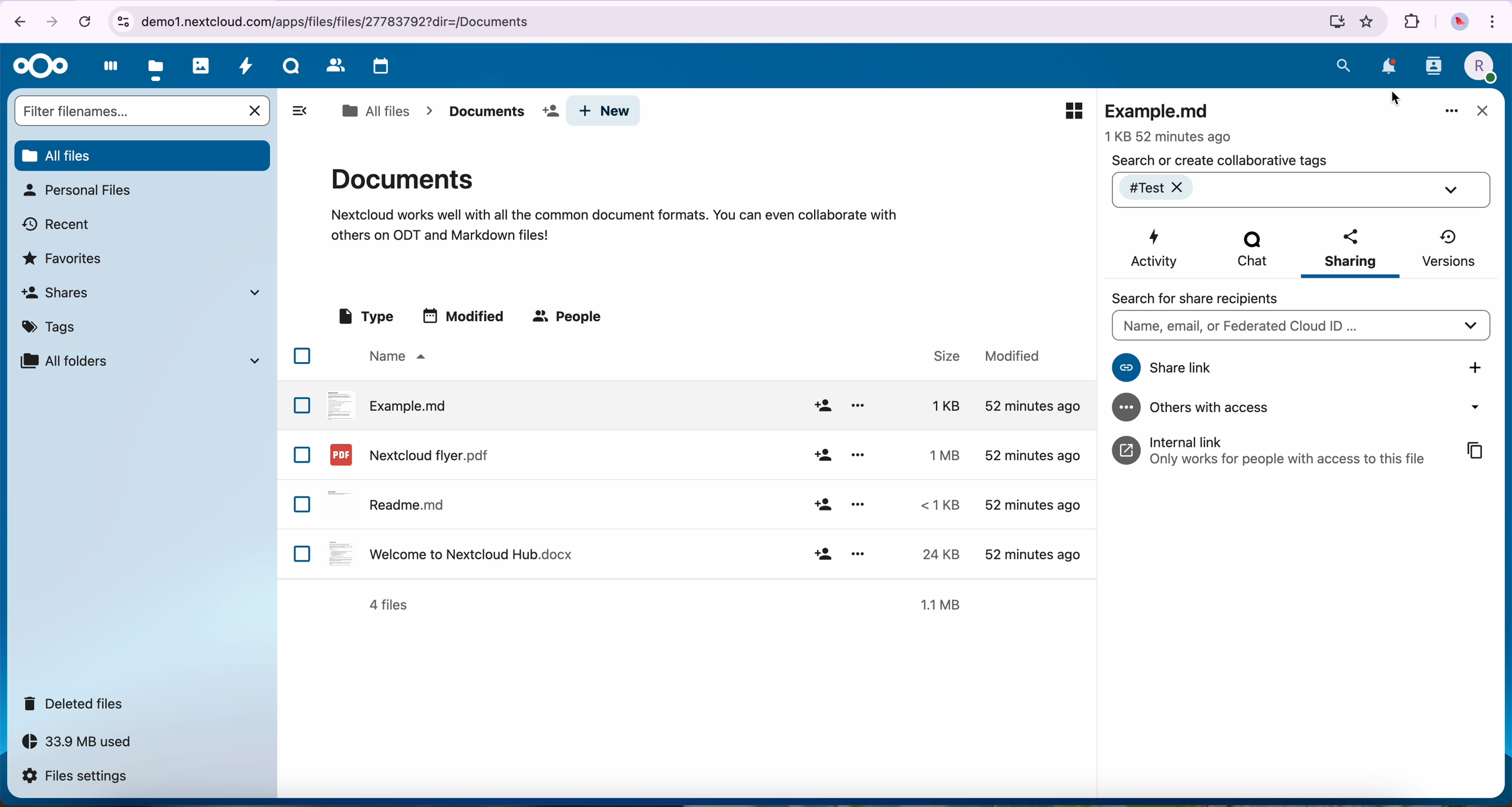  I want to click on size, so click(939, 454).